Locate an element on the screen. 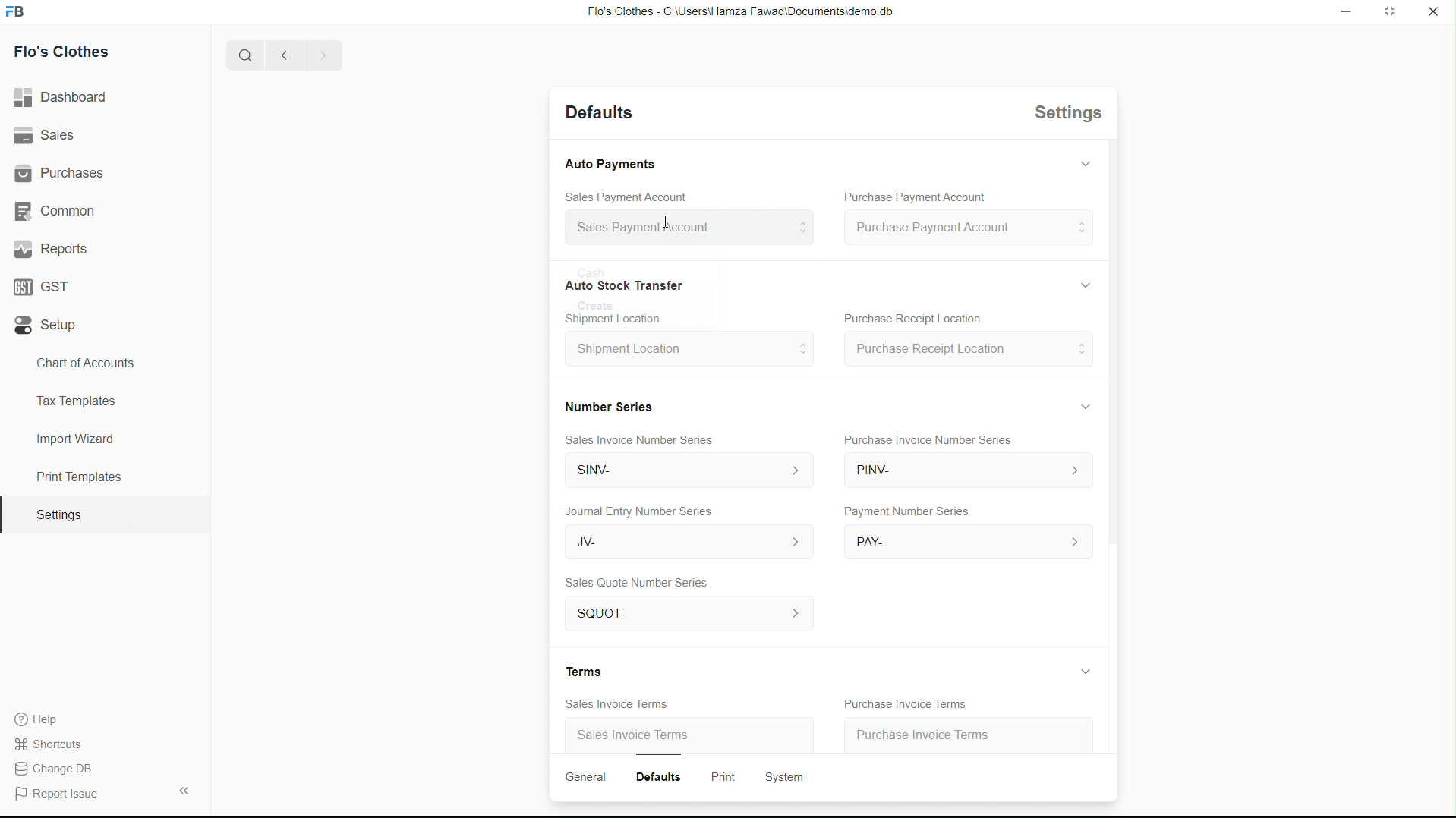  sales Payment Account is located at coordinates (684, 225).